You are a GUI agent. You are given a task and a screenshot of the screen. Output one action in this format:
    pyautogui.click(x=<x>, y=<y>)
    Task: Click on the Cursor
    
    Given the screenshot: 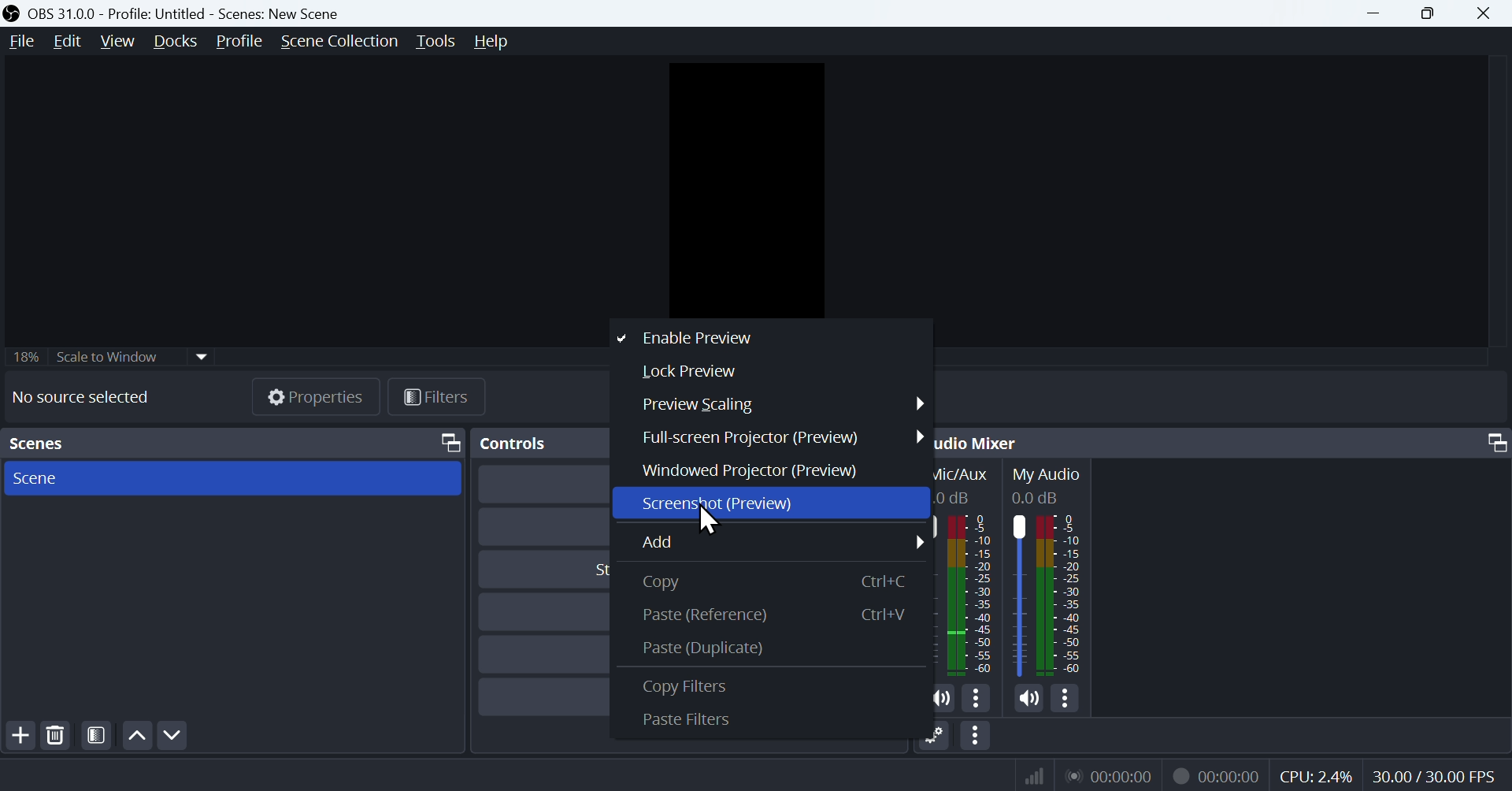 What is the action you would take?
    pyautogui.click(x=709, y=524)
    